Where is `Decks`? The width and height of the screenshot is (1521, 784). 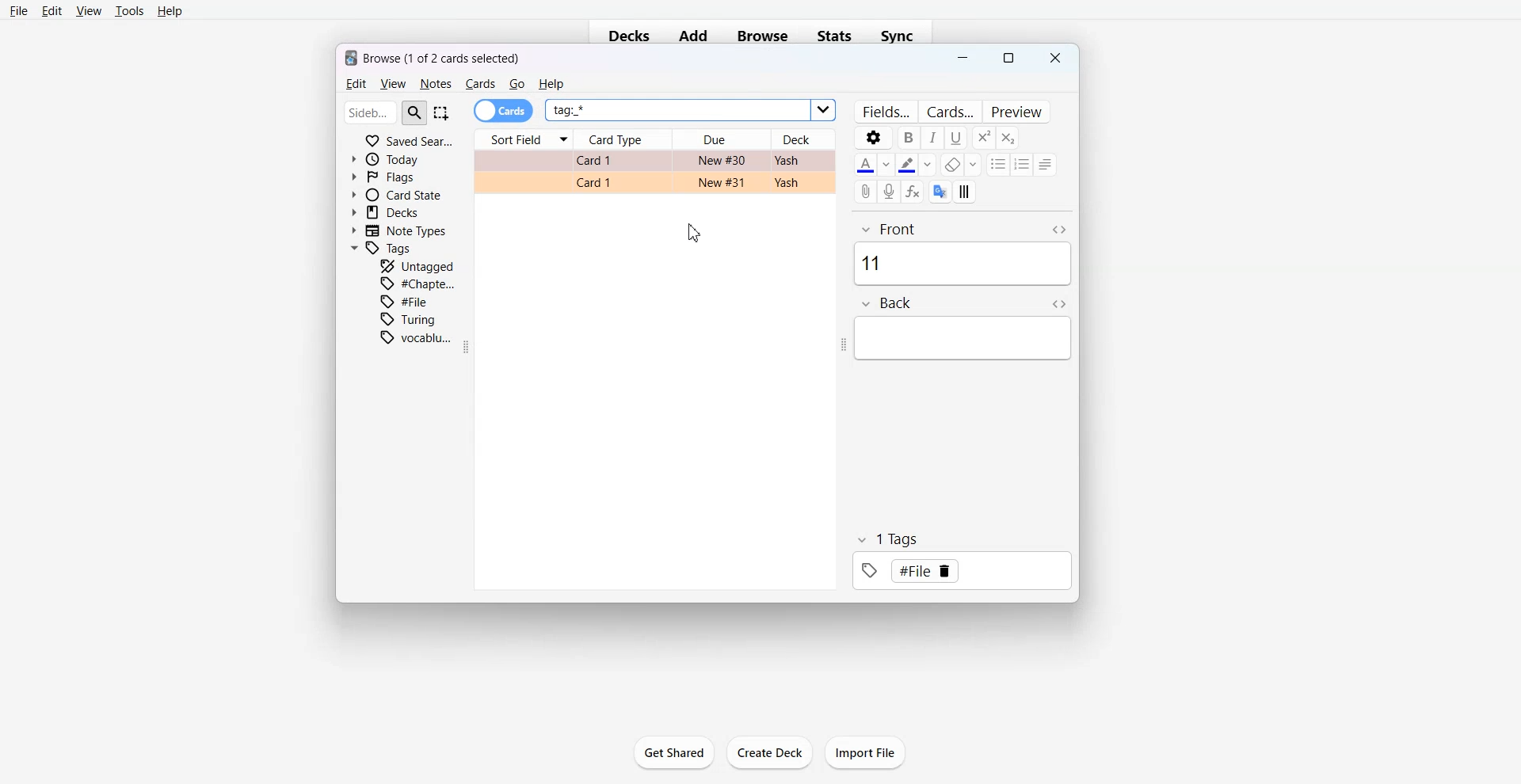
Decks is located at coordinates (387, 212).